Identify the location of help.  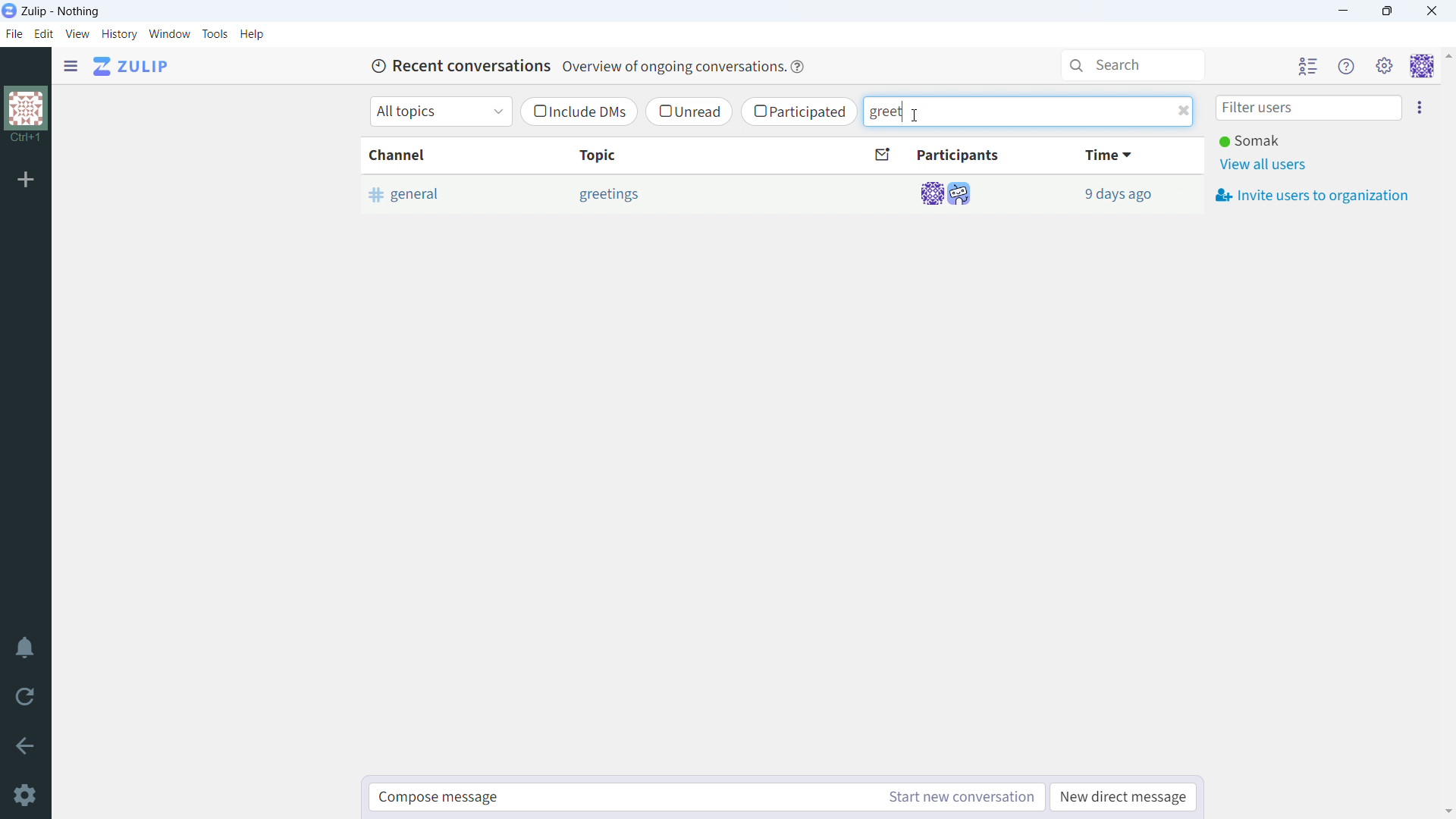
(253, 35).